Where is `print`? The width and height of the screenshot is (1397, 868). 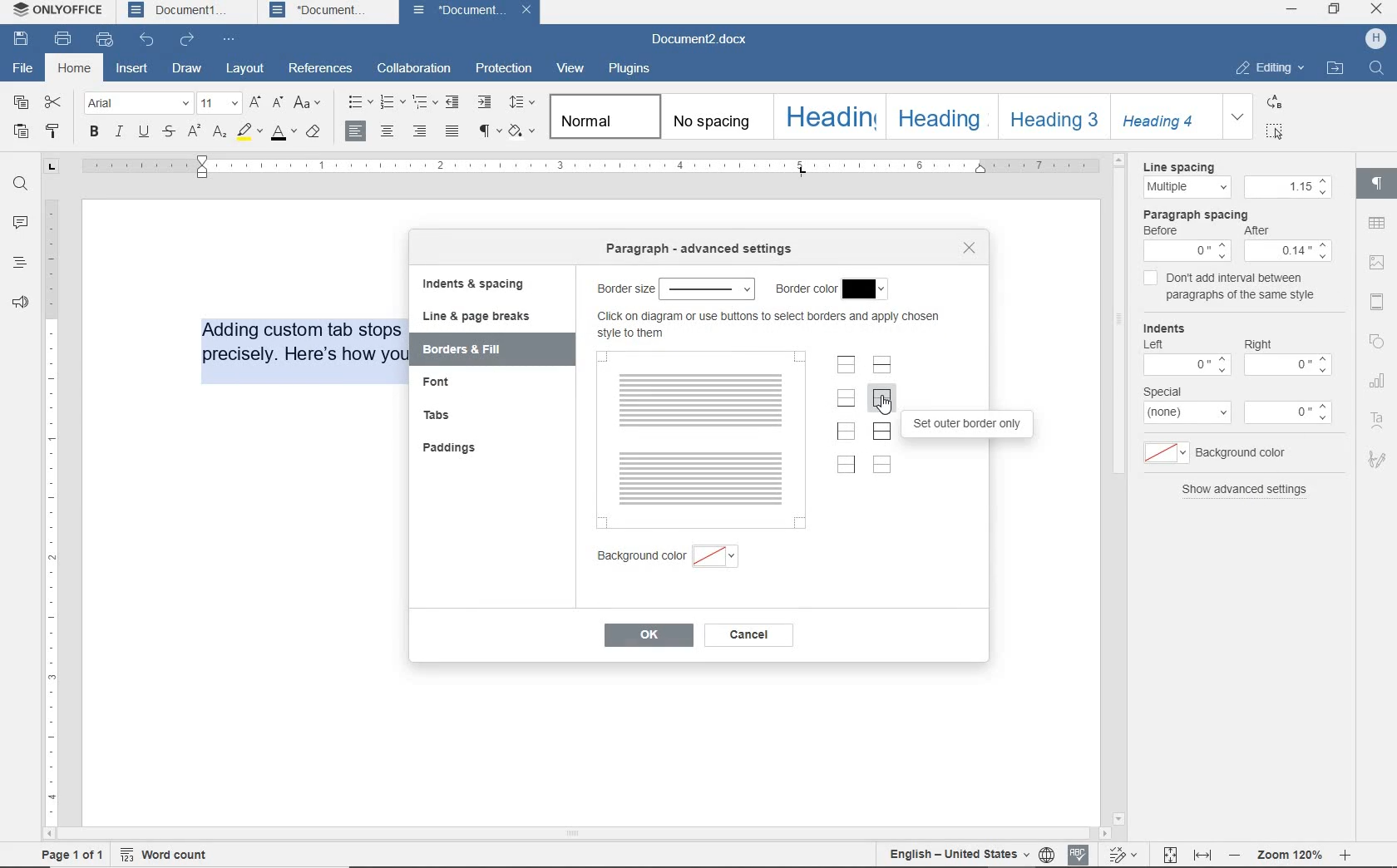 print is located at coordinates (63, 39).